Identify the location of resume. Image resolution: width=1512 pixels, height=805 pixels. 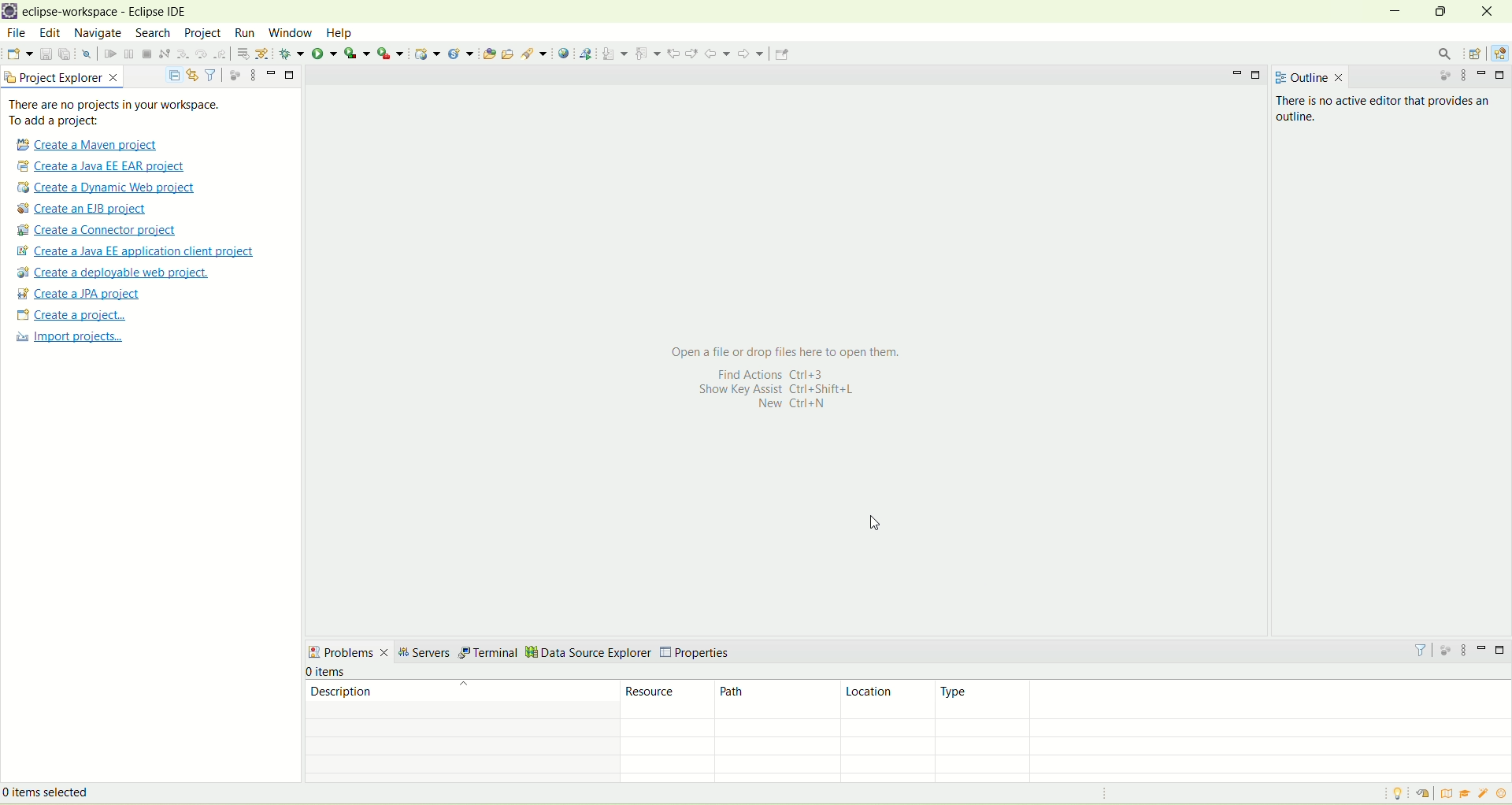
(172, 56).